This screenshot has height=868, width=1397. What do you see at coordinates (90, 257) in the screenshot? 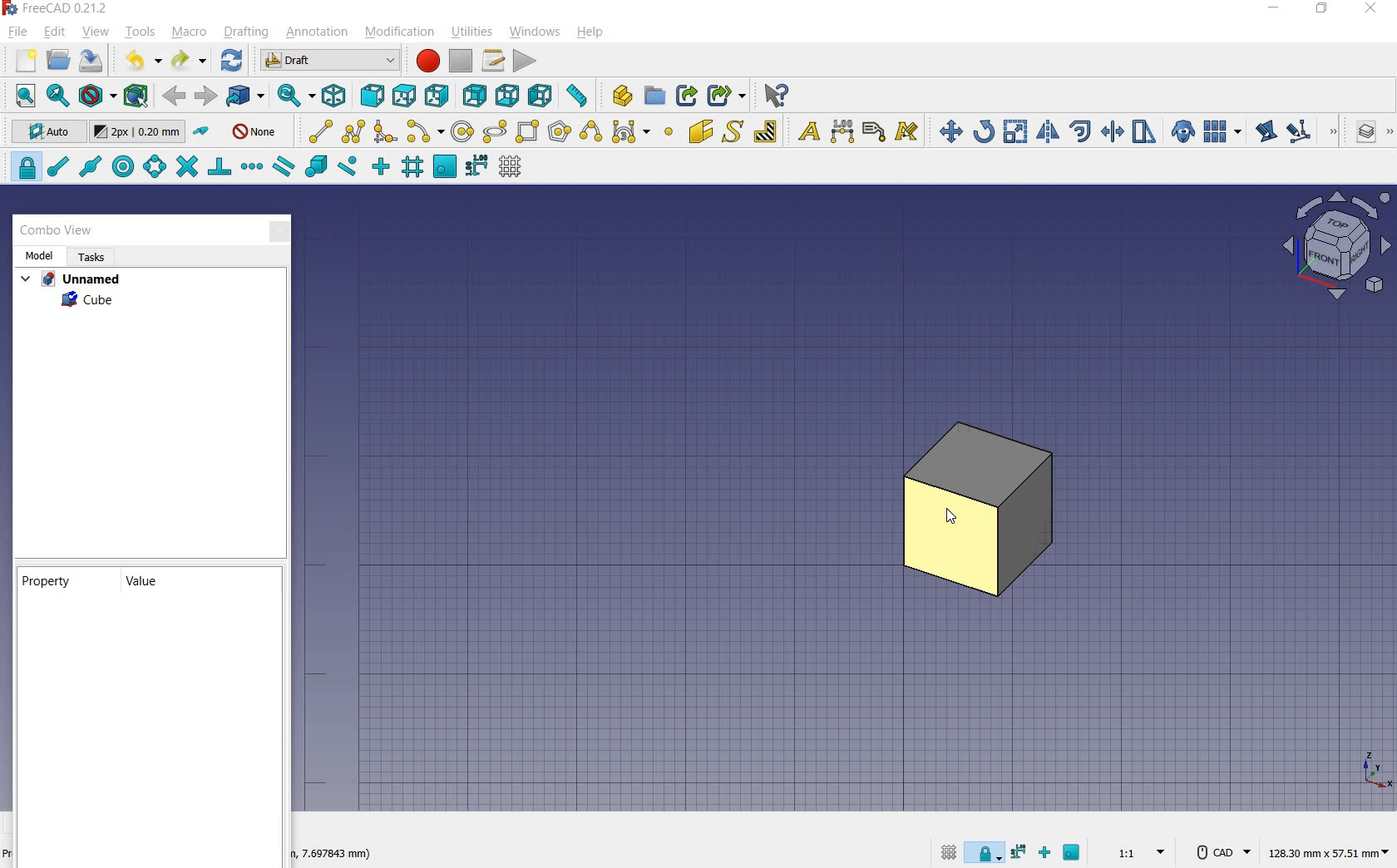
I see `tasks` at bounding box center [90, 257].